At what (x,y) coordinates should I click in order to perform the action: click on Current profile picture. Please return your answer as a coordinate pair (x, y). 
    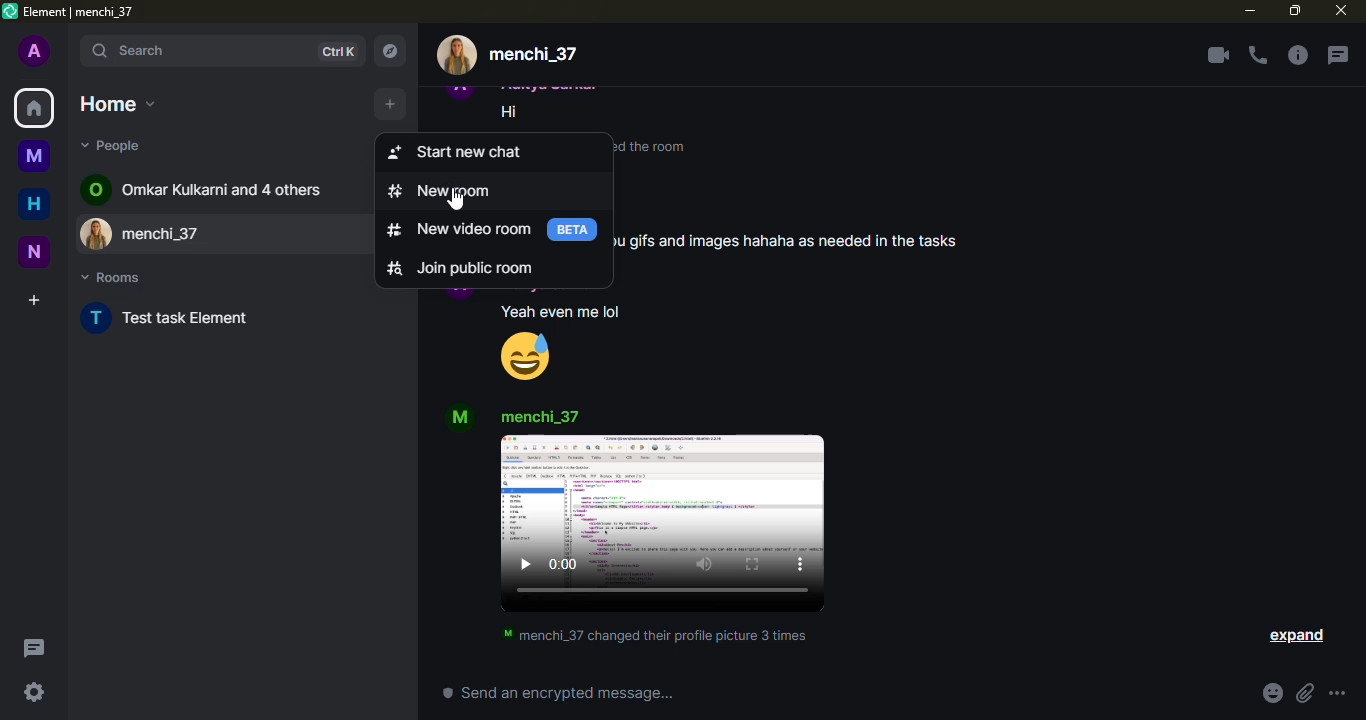
    Looking at the image, I should click on (457, 55).